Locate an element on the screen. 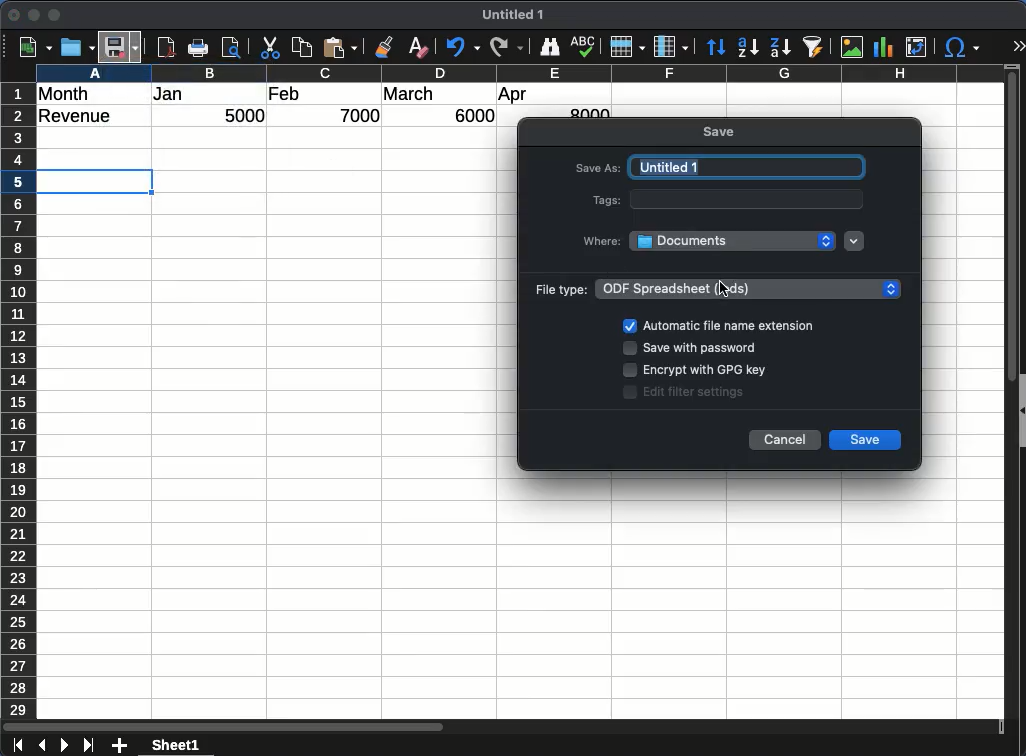 The width and height of the screenshot is (1026, 756). finder is located at coordinates (550, 47).